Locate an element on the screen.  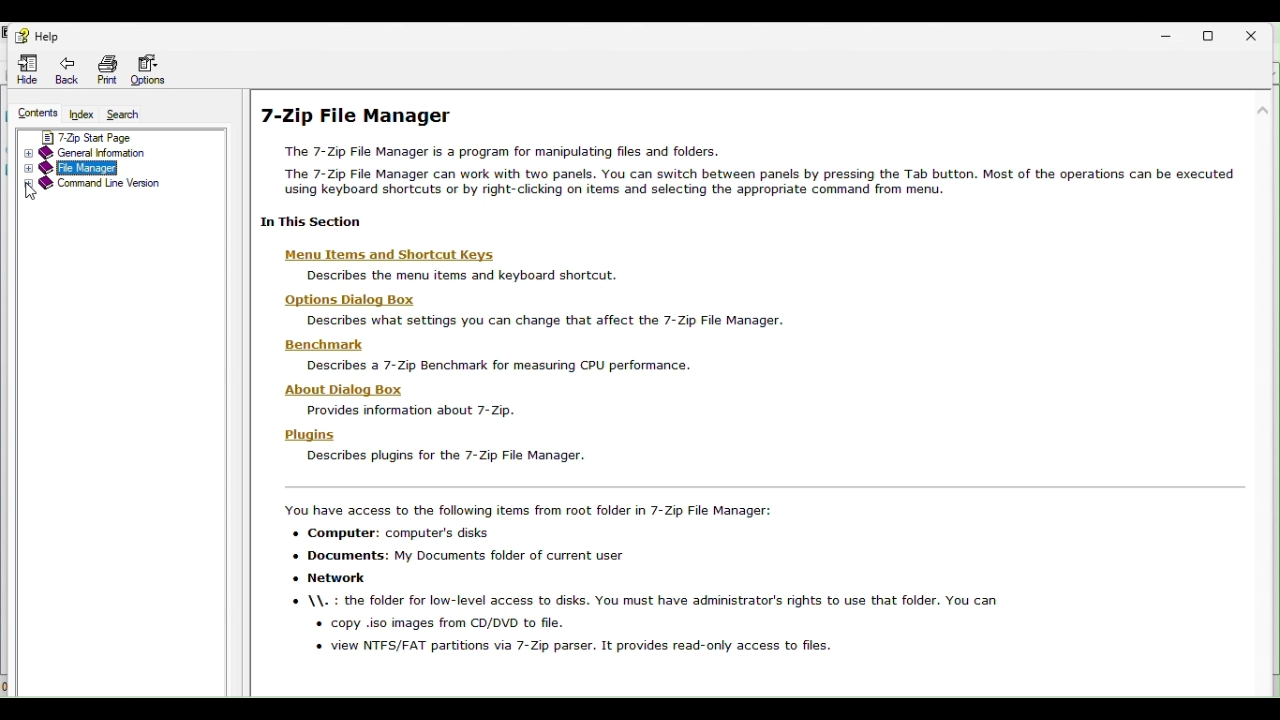
back is located at coordinates (65, 69).